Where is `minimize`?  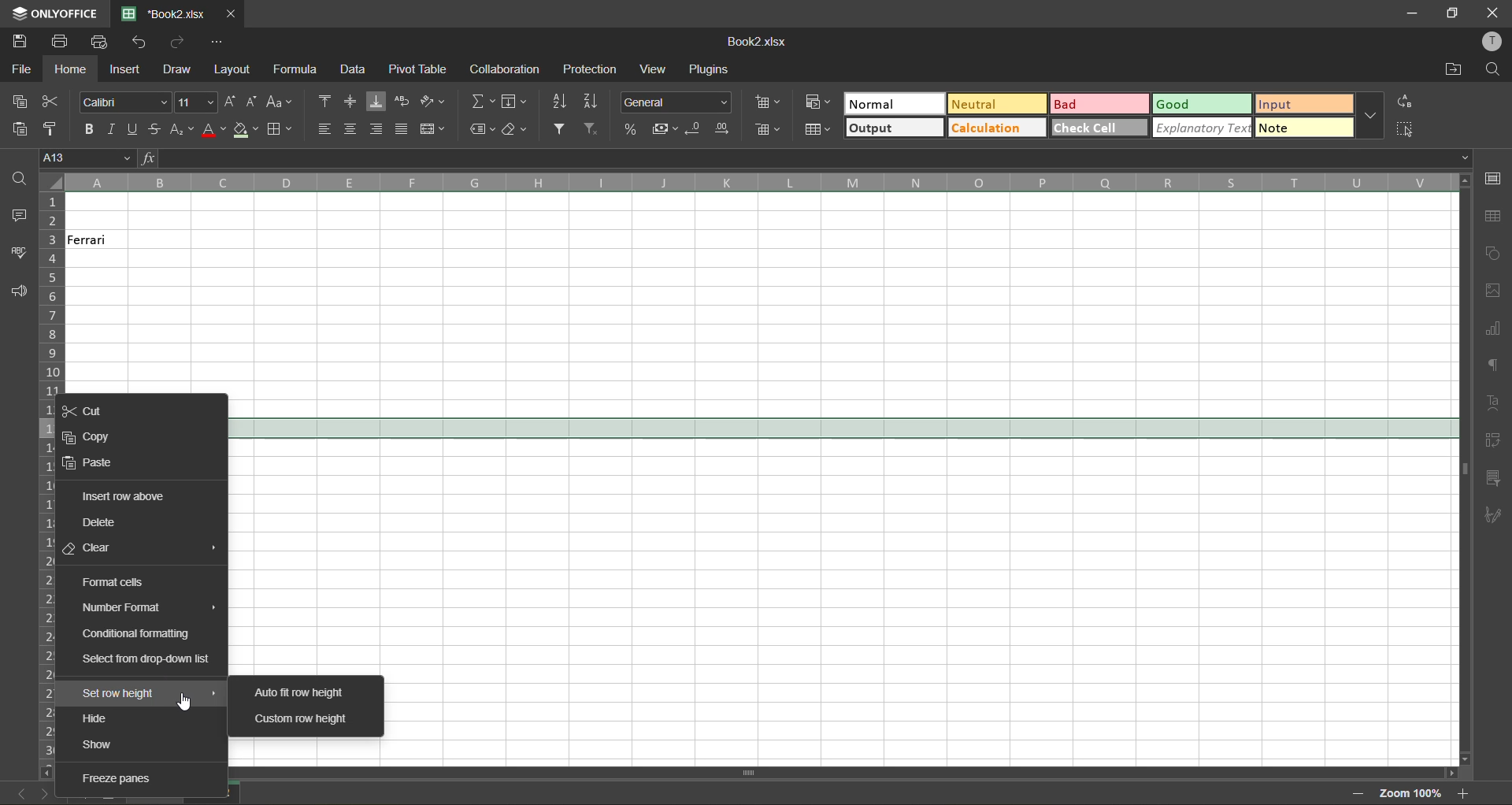 minimize is located at coordinates (1410, 12).